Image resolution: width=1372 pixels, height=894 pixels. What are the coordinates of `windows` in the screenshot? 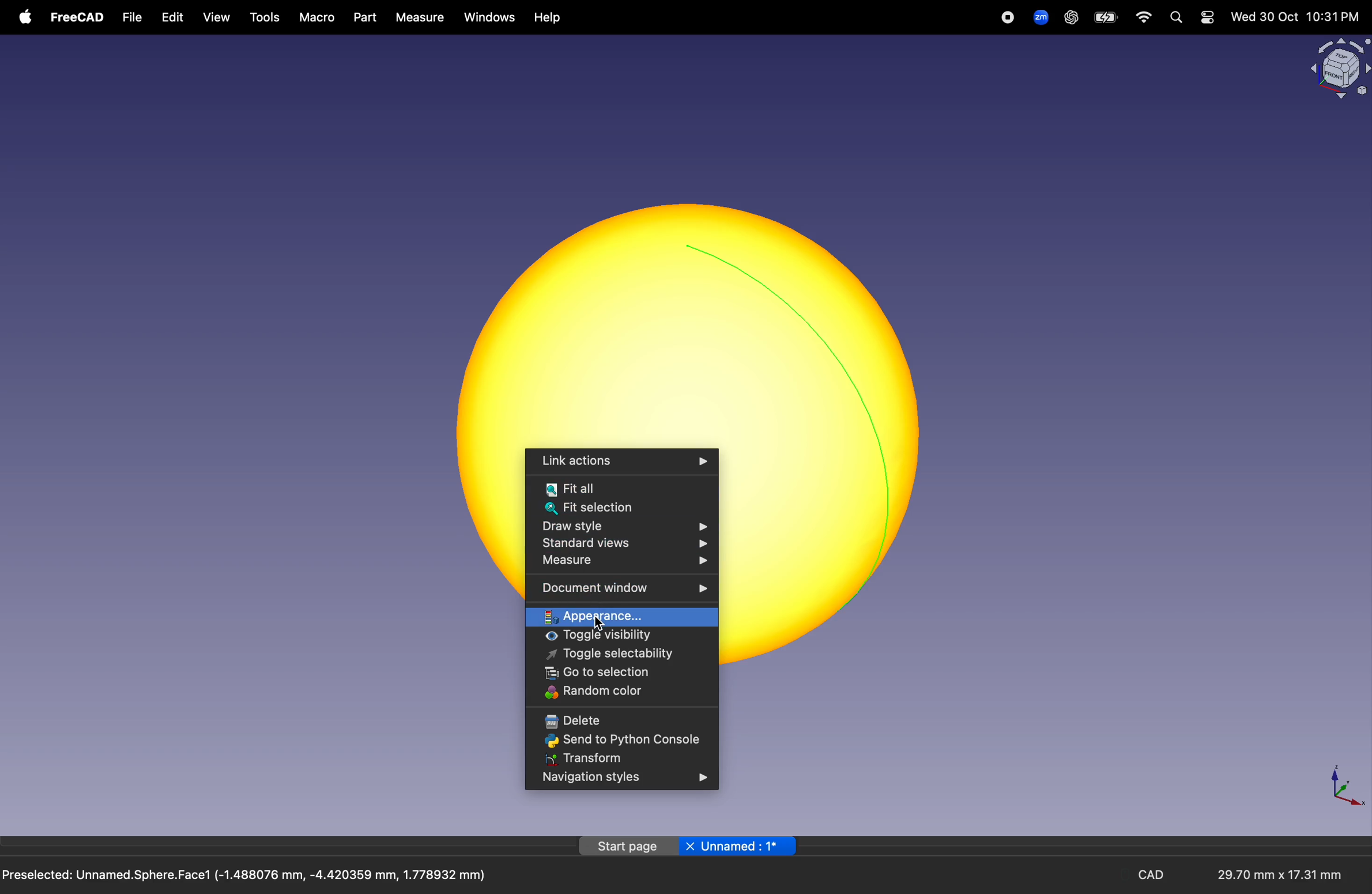 It's located at (490, 17).